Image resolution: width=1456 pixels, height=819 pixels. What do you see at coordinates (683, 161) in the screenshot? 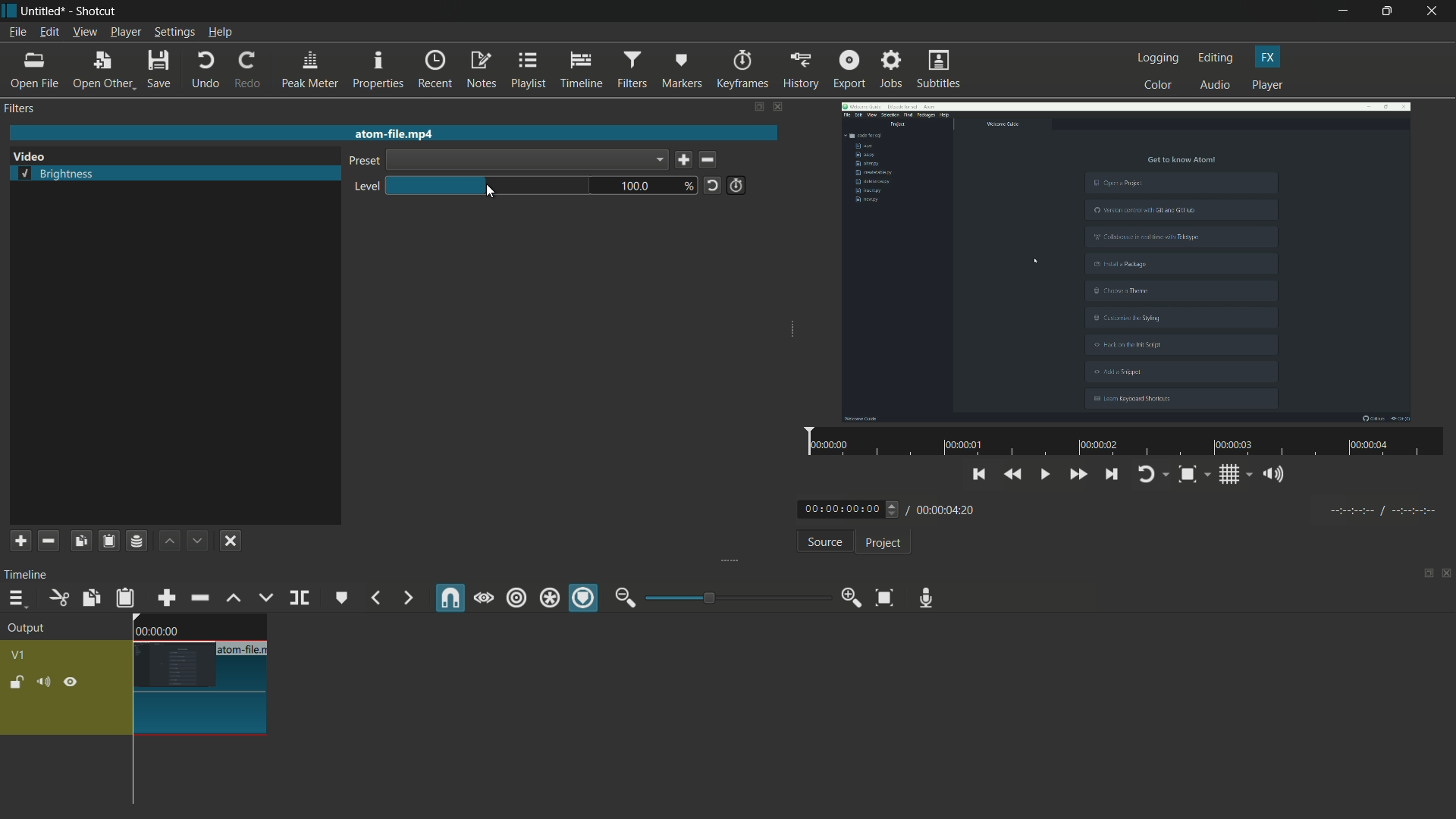
I see `save` at bounding box center [683, 161].